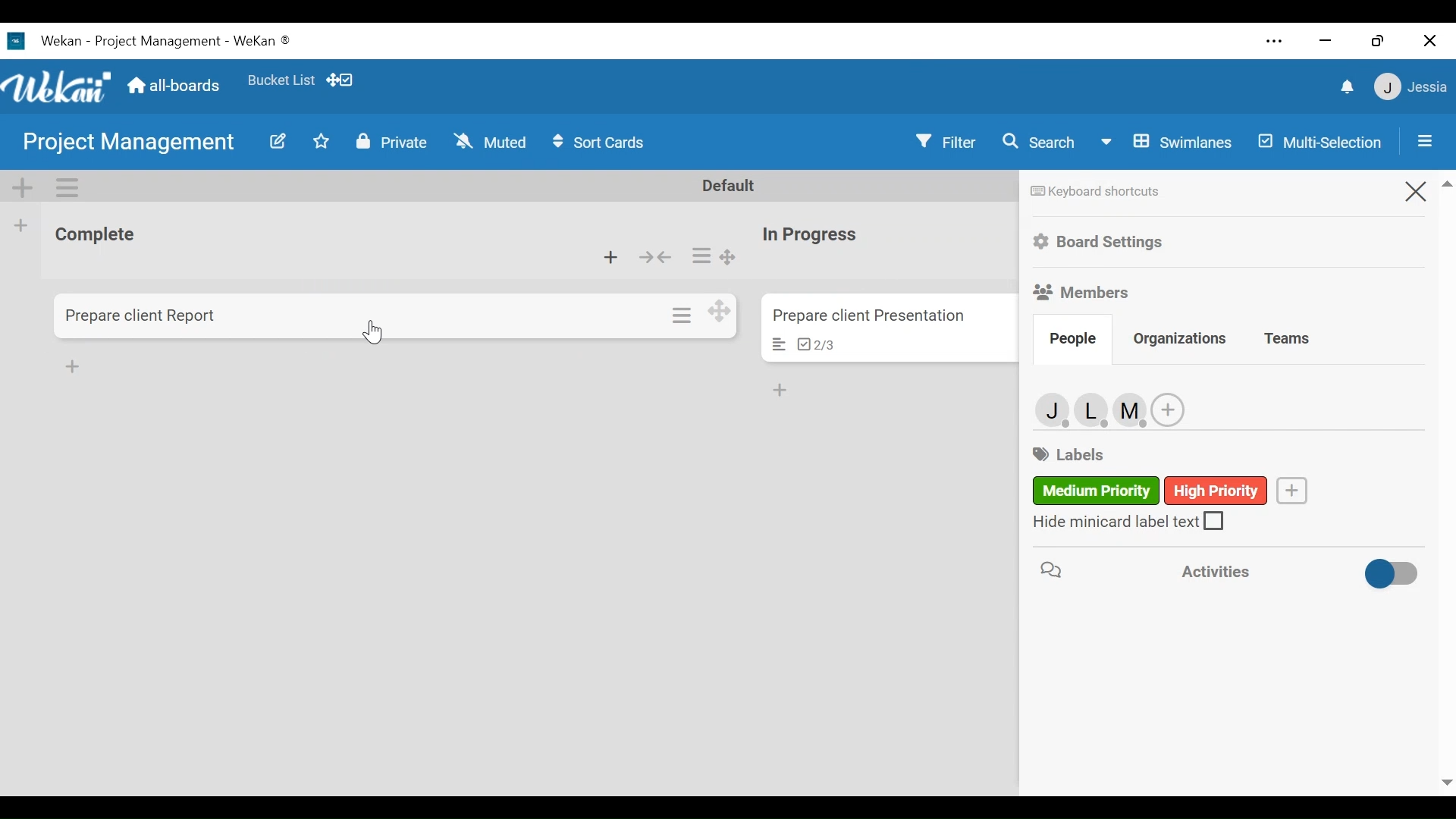 The height and width of the screenshot is (819, 1456). I want to click on Hide/Show Activities, so click(1394, 573).